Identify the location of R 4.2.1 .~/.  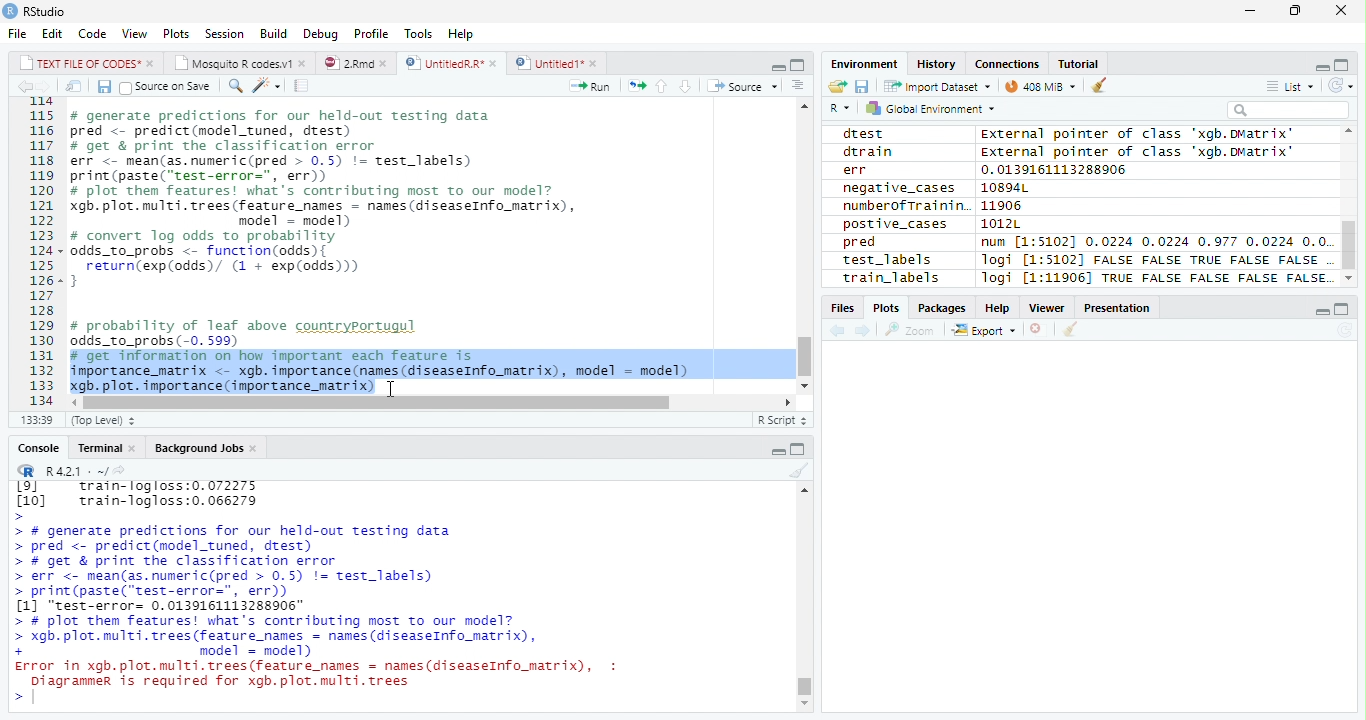
(74, 470).